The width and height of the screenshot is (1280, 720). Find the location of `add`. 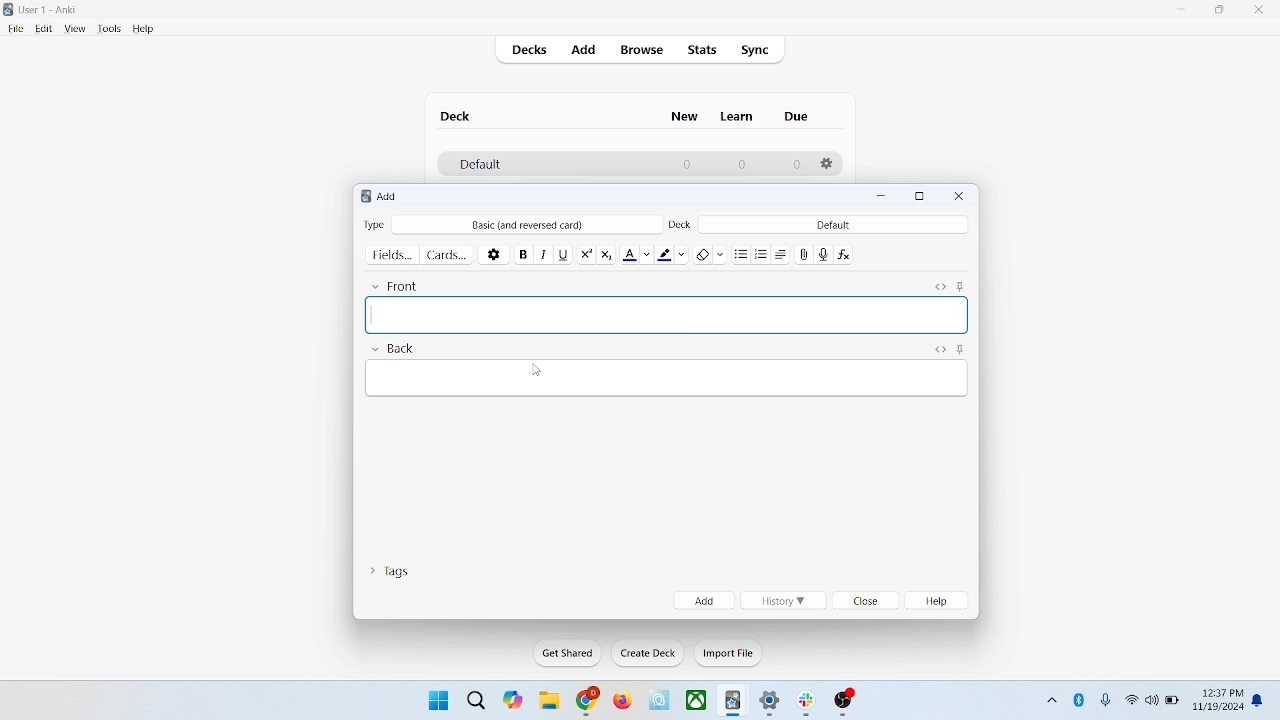

add is located at coordinates (389, 196).